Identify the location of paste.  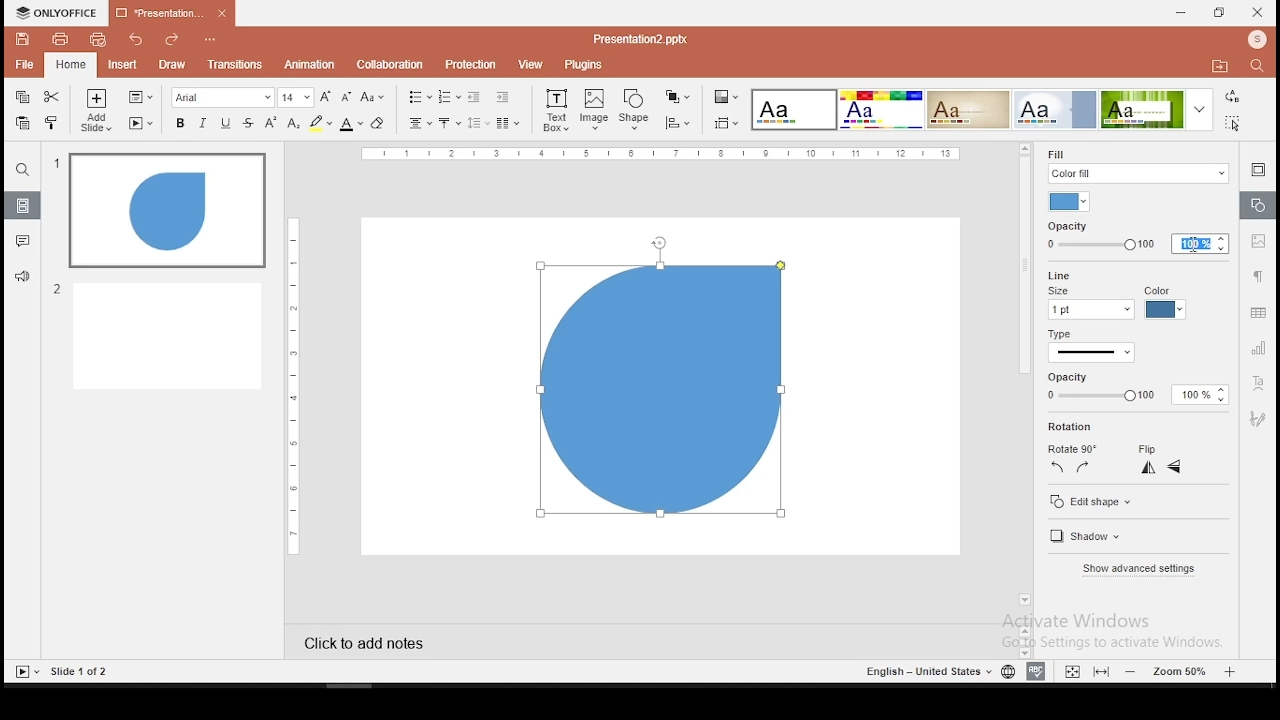
(24, 122).